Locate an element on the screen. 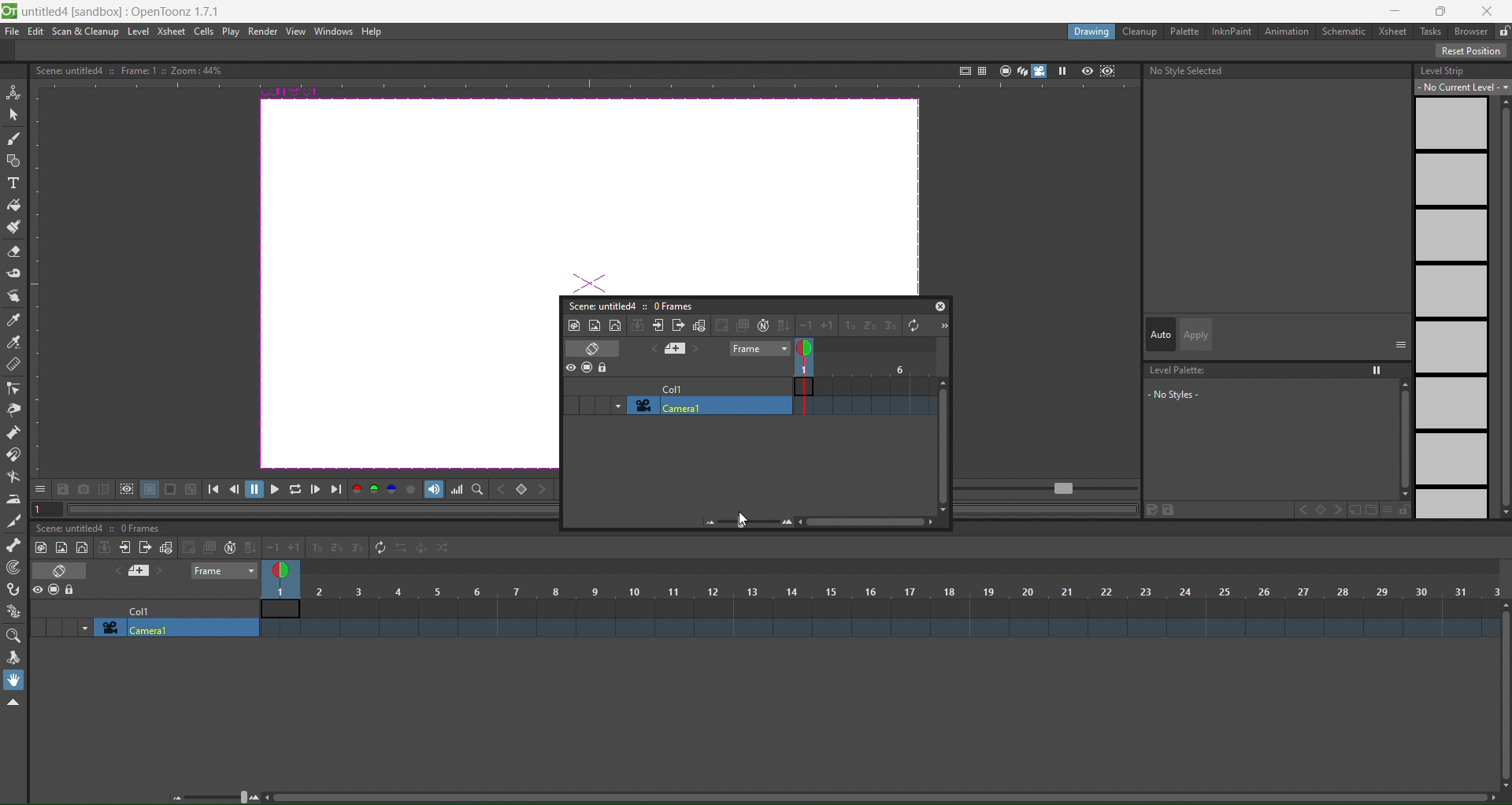 The image size is (1512, 805). new toonz raster level is located at coordinates (43, 547).